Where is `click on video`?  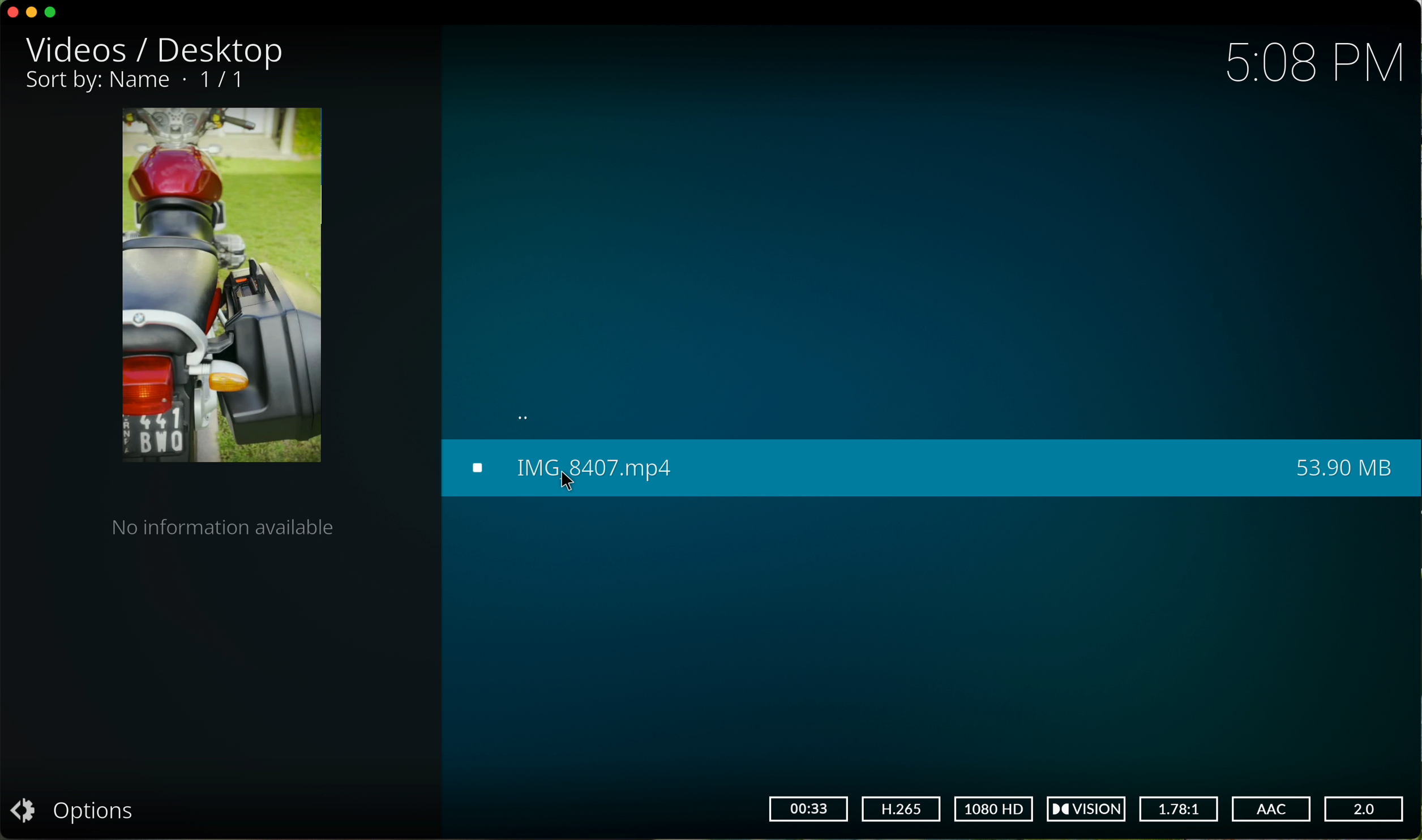
click on video is located at coordinates (928, 469).